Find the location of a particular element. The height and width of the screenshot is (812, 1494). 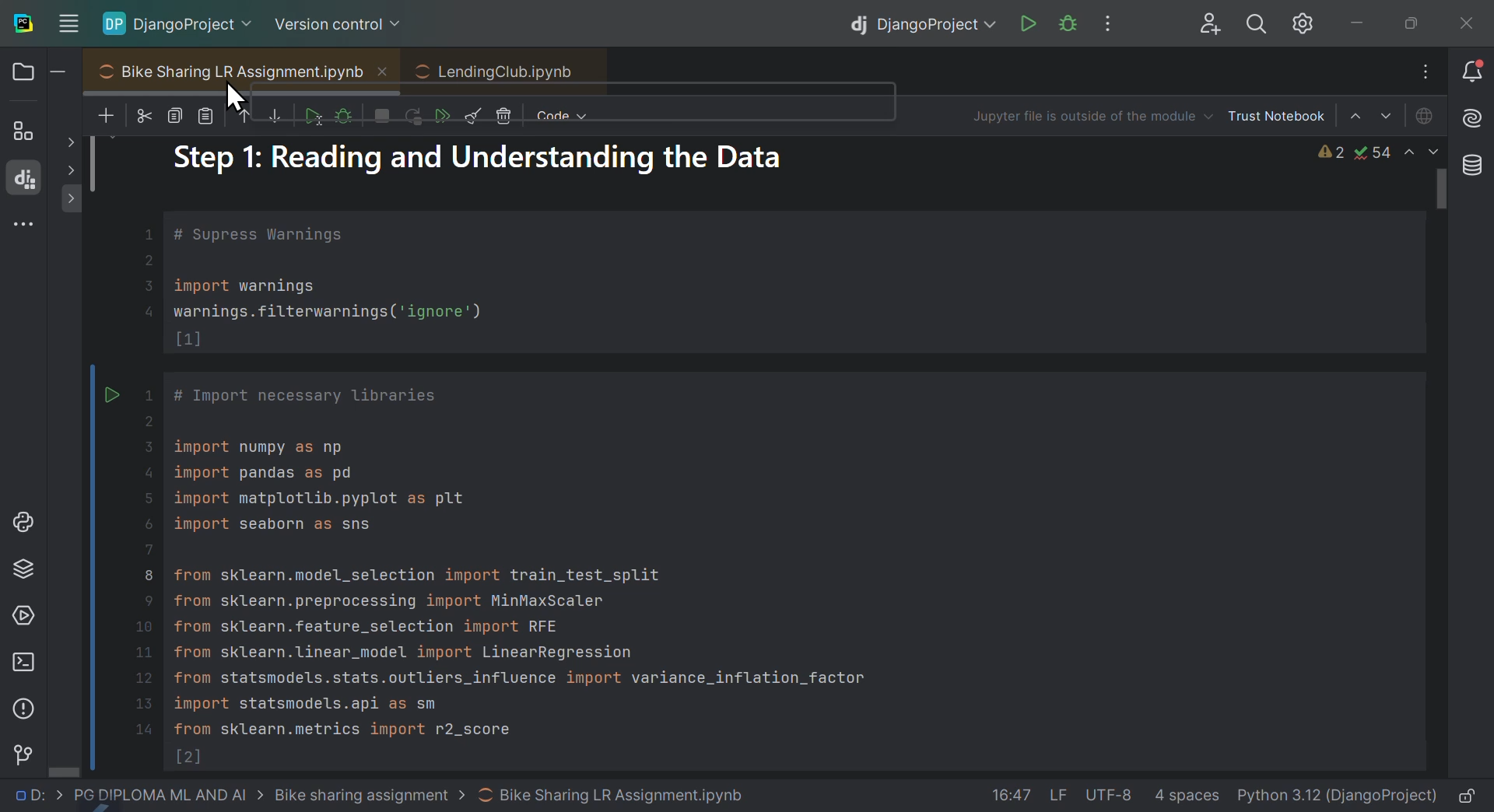

Jupiter is offline is located at coordinates (1426, 117).